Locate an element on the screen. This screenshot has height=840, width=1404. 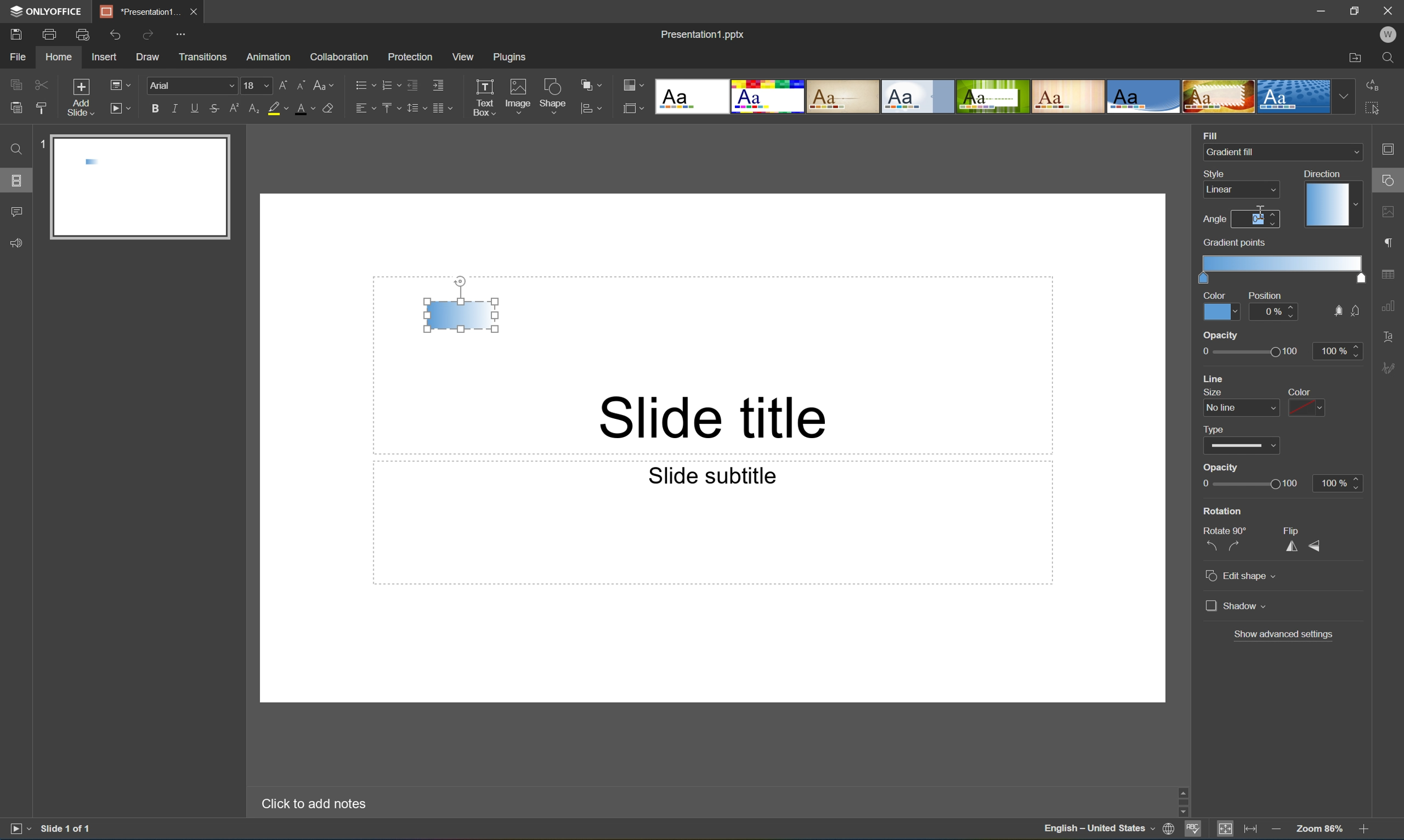
Position is located at coordinates (1264, 295).